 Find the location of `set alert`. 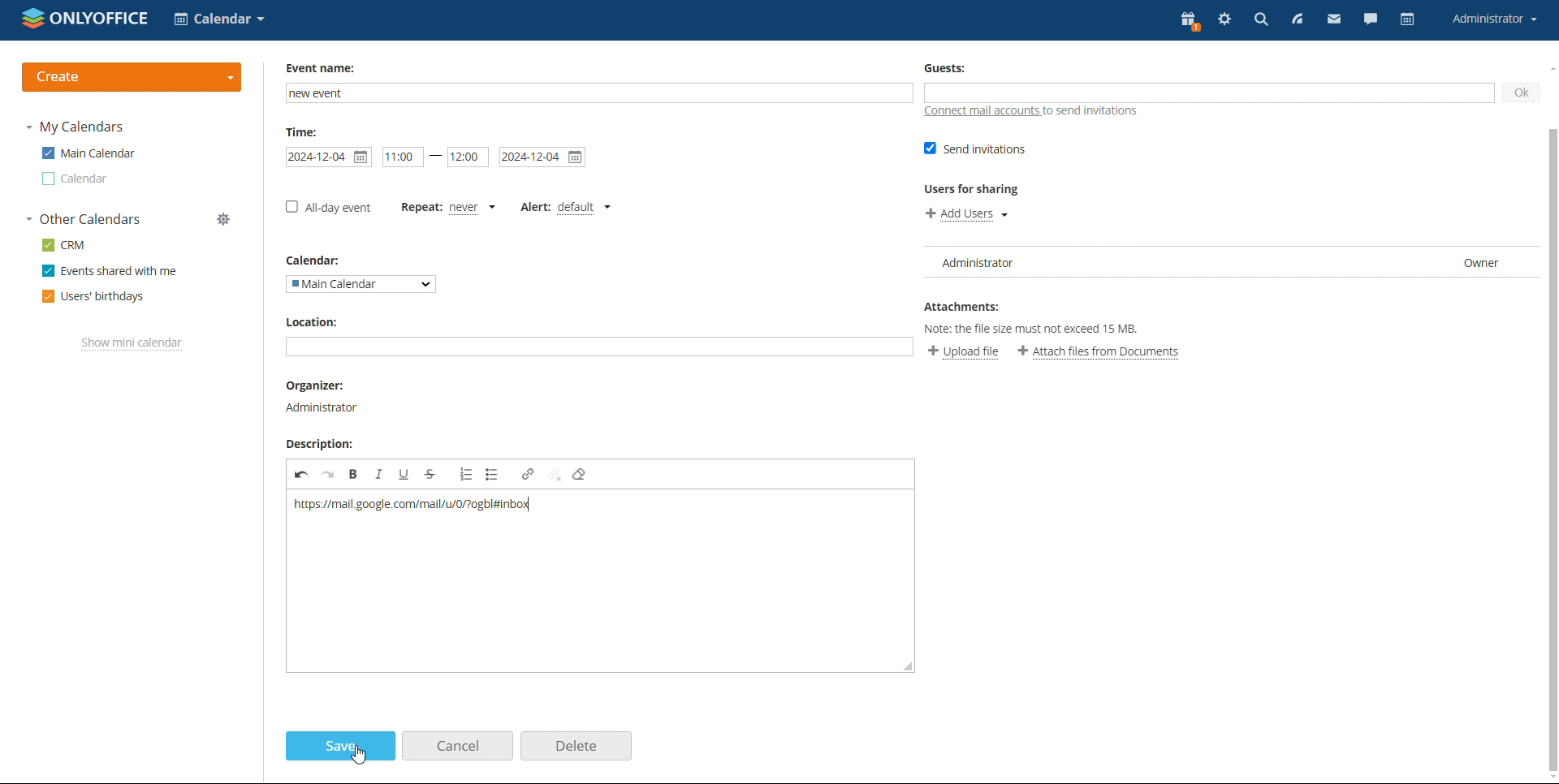

set alert is located at coordinates (533, 208).